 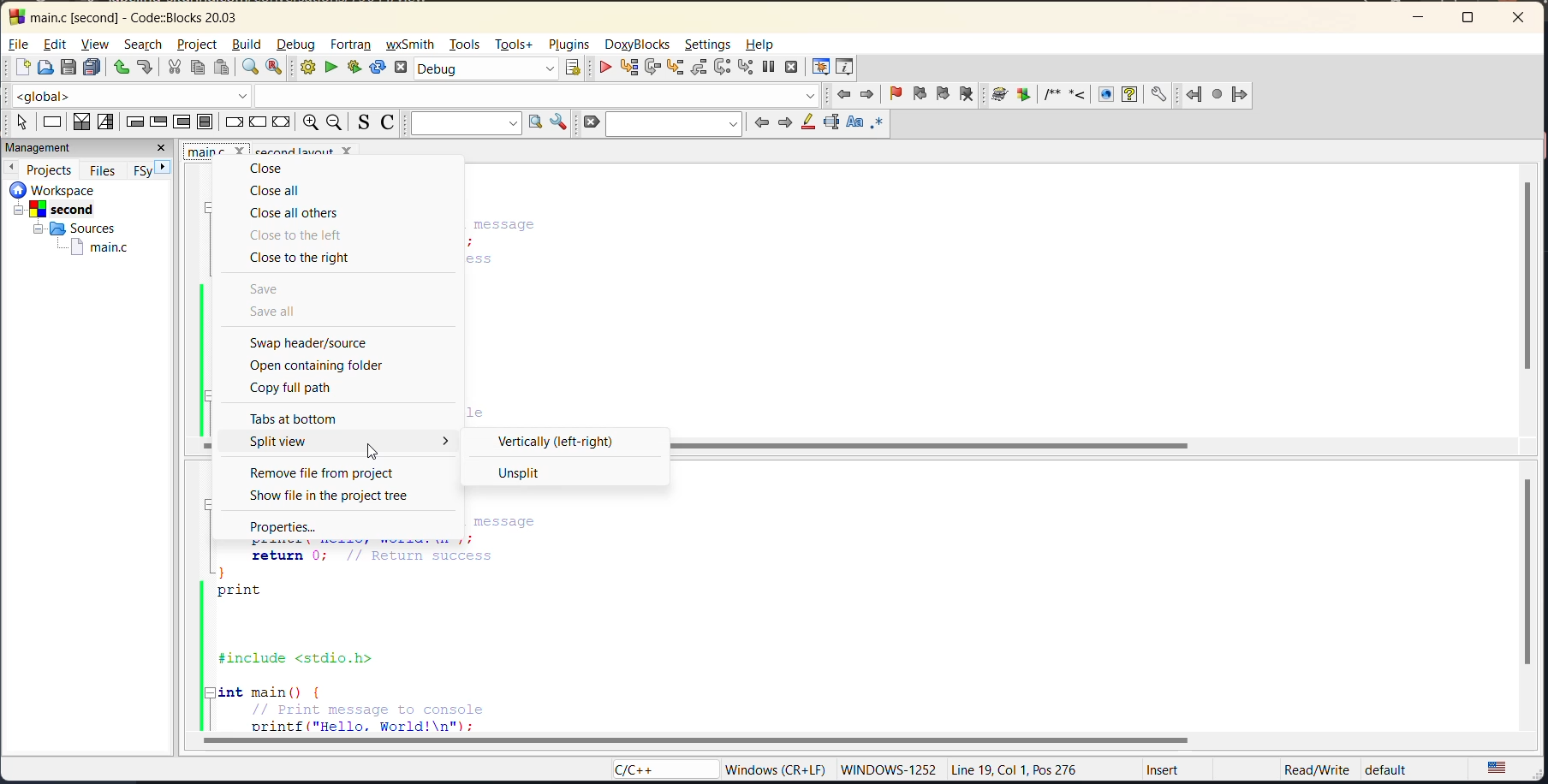 I want to click on horizontal scroll bar, so click(x=697, y=740).